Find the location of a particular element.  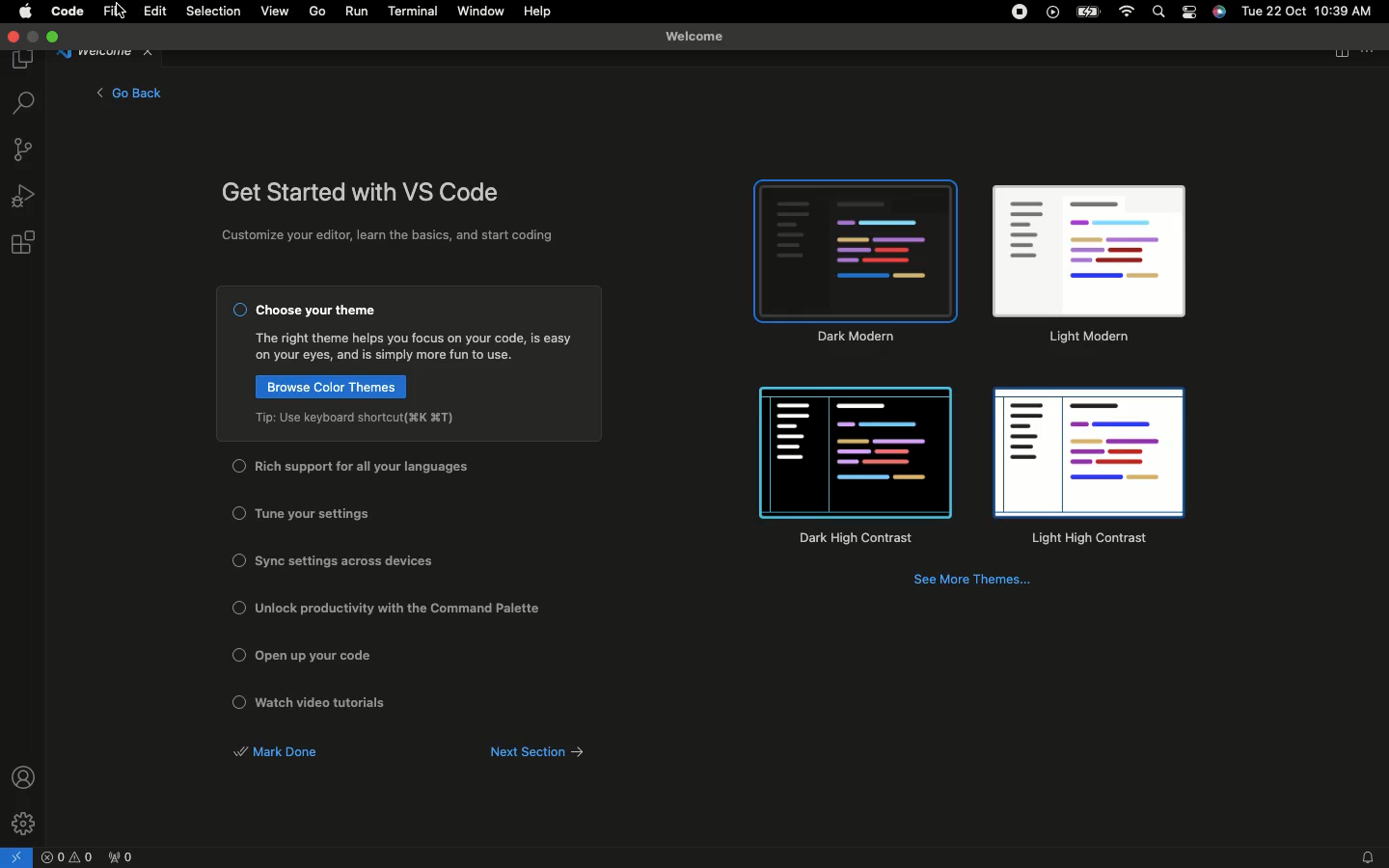

Search is located at coordinates (1157, 13).